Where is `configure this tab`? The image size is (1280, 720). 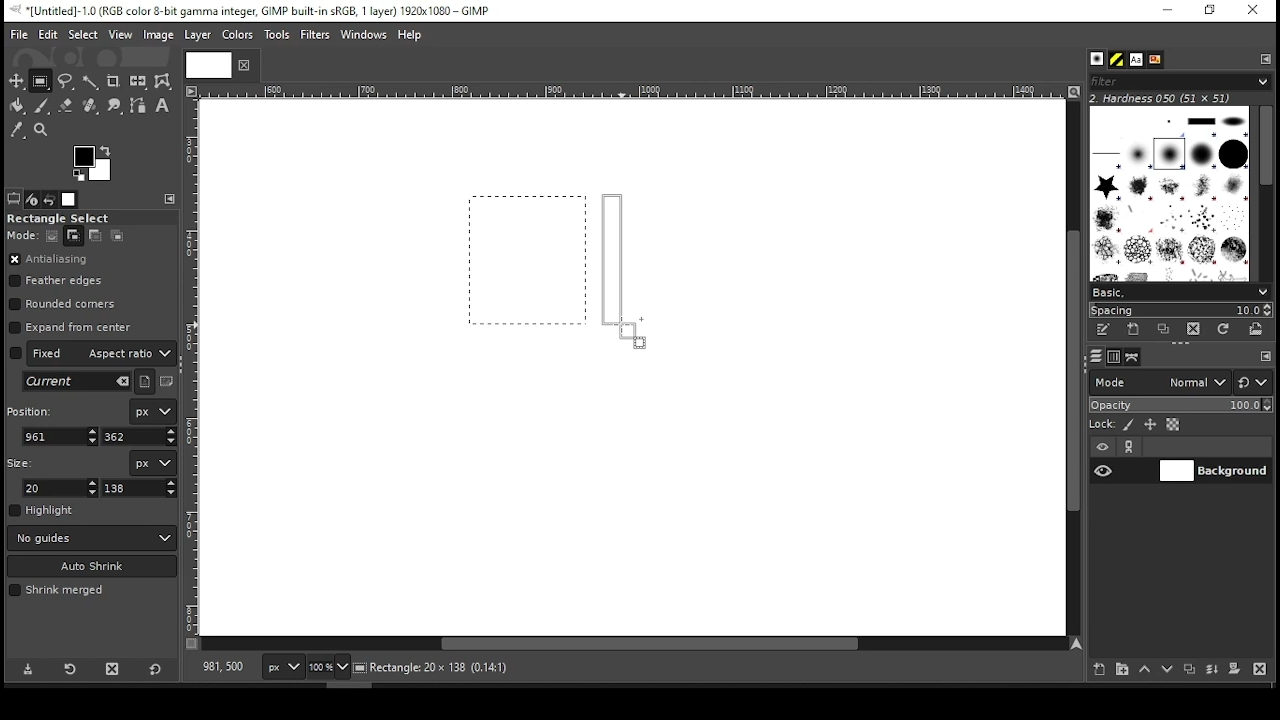 configure this tab is located at coordinates (1267, 58).